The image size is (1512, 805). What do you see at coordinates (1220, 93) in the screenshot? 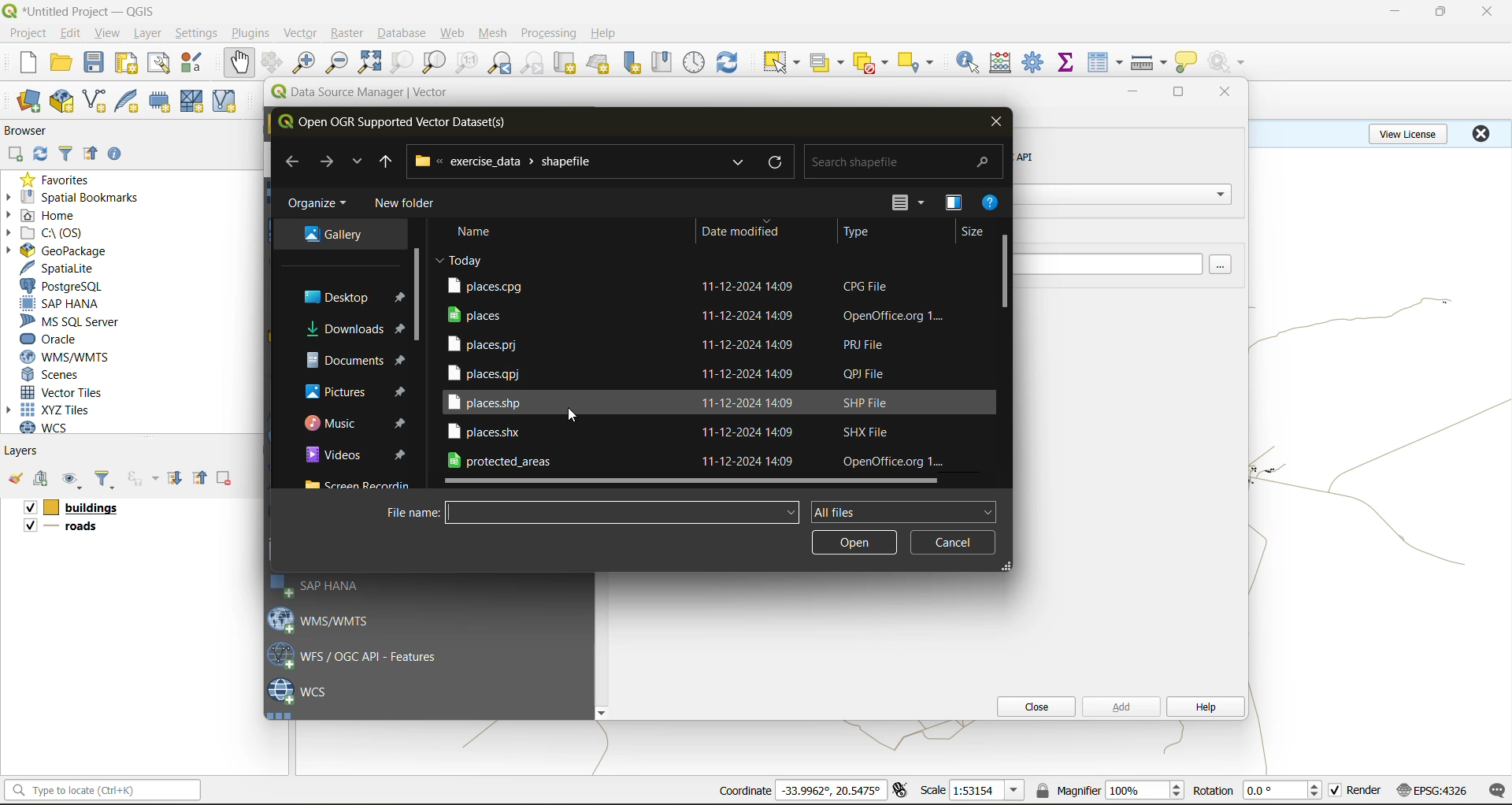
I see `close` at bounding box center [1220, 93].